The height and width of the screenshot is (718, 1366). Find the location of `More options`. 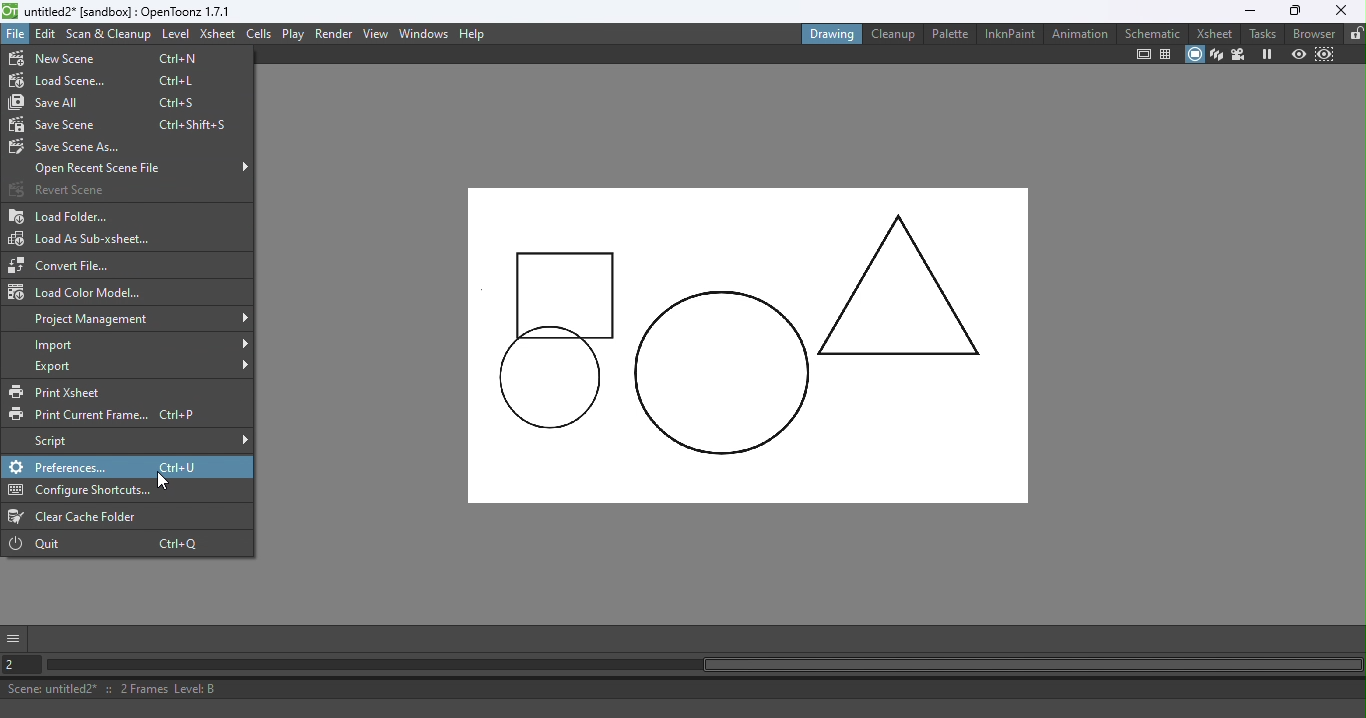

More options is located at coordinates (14, 636).